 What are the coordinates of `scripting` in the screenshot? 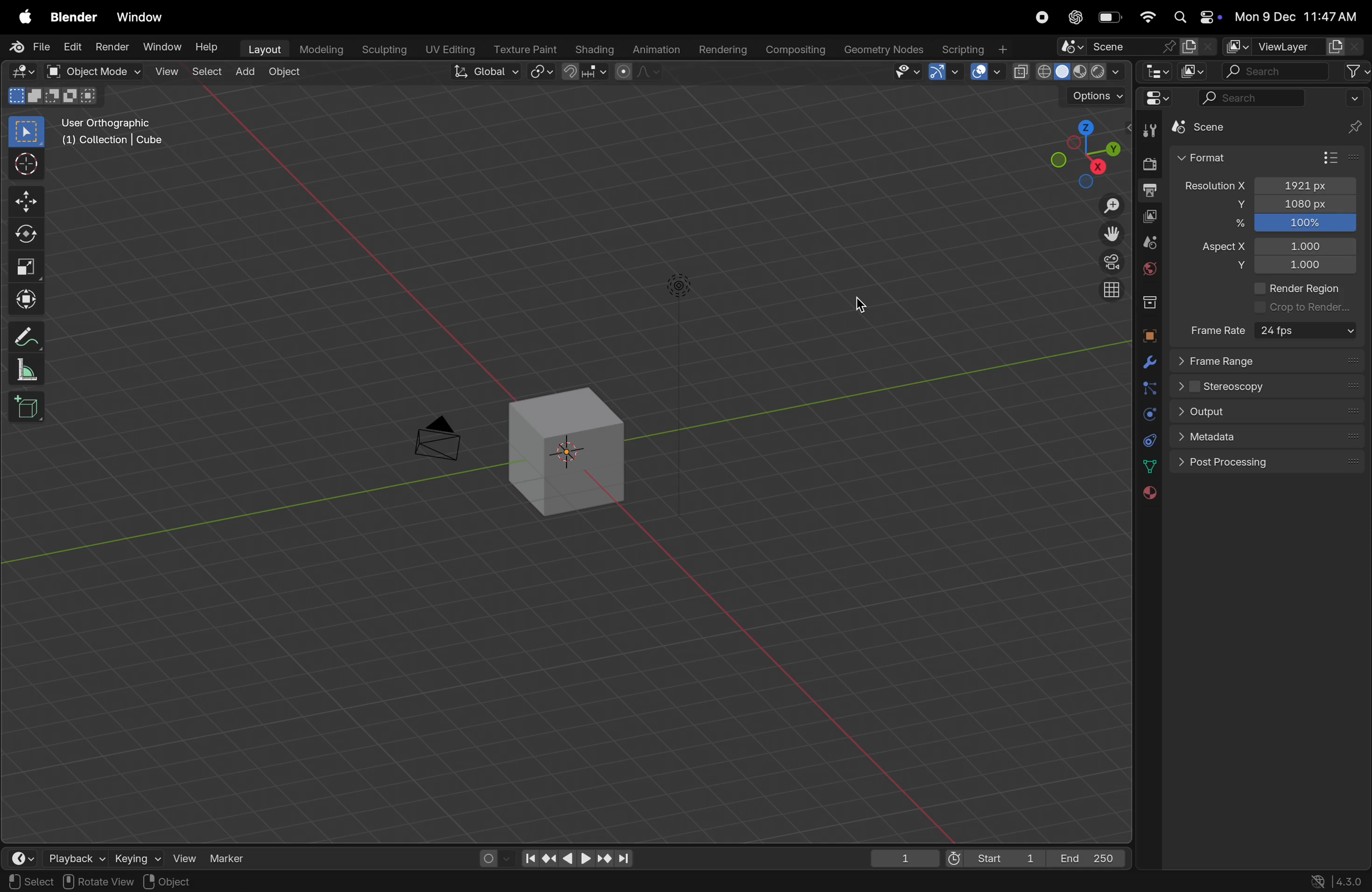 It's located at (979, 48).